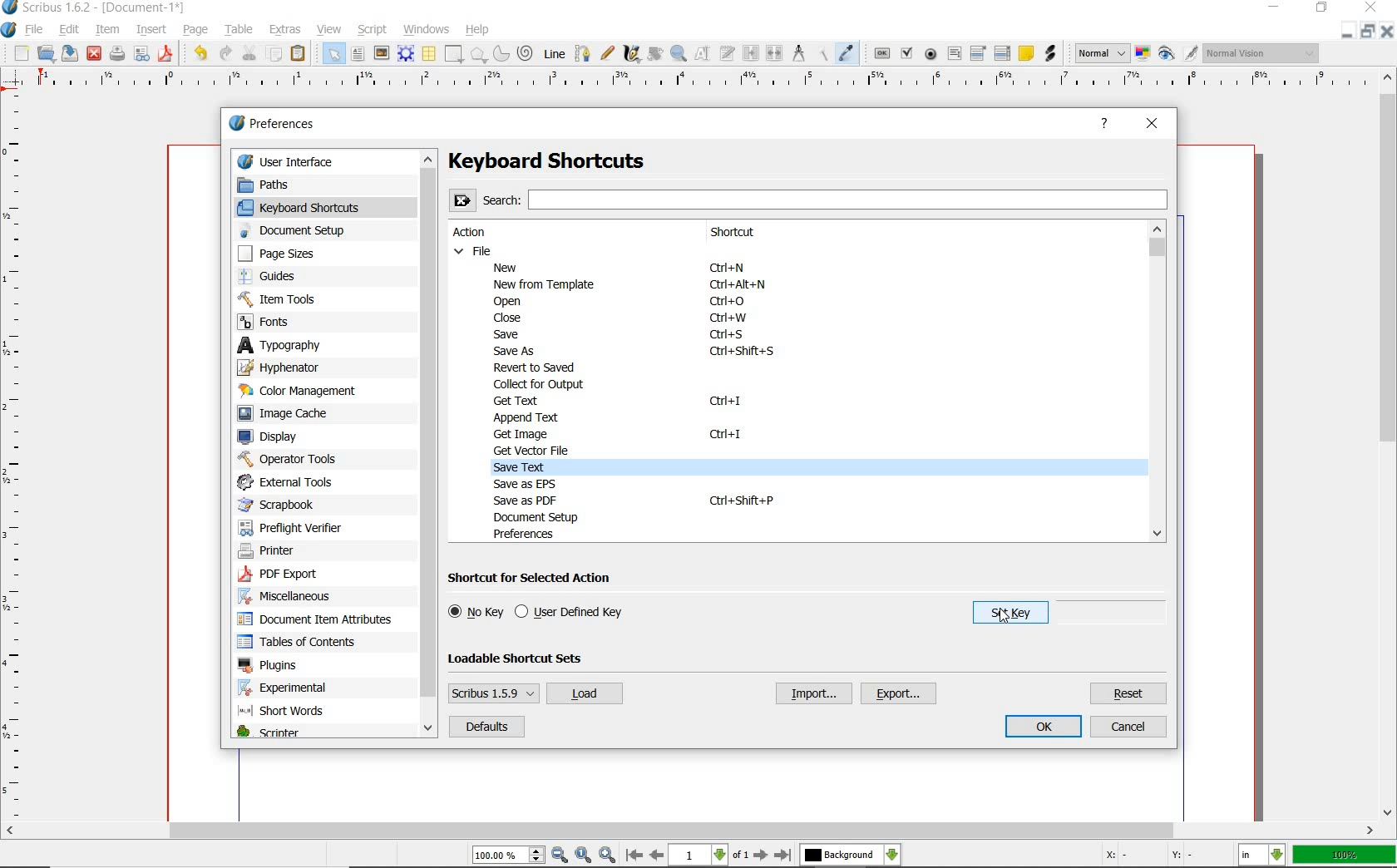  I want to click on item, so click(106, 28).